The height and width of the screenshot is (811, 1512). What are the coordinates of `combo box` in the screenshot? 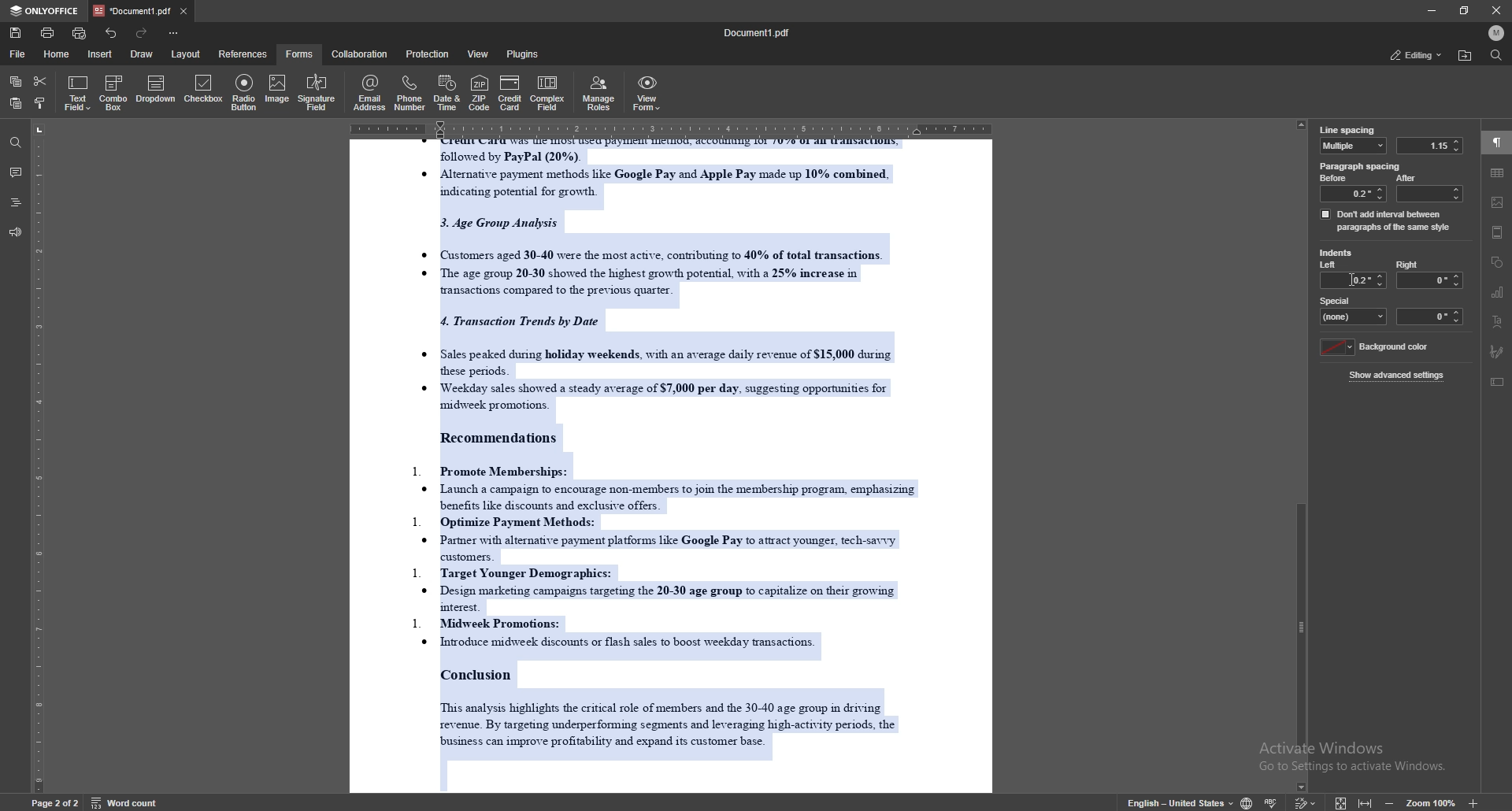 It's located at (113, 93).